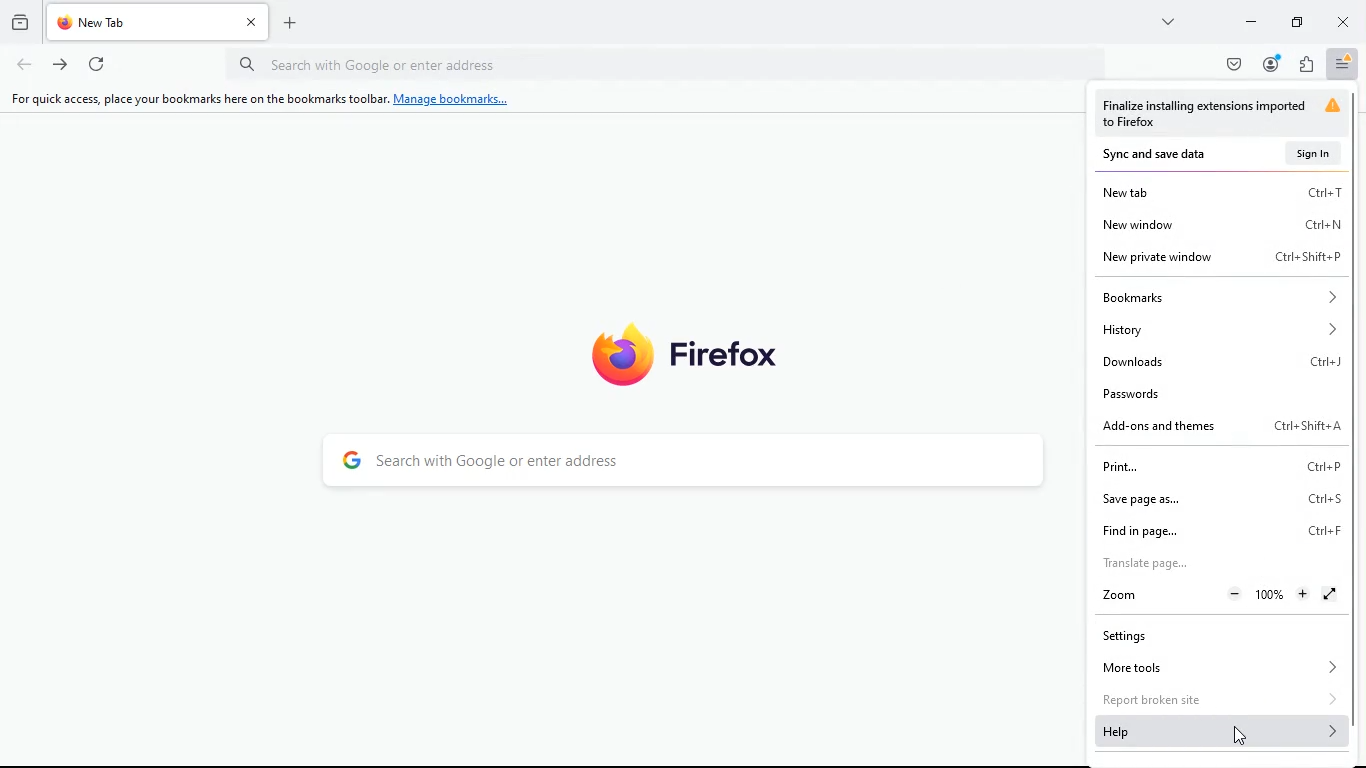 Image resolution: width=1366 pixels, height=768 pixels. Describe the element at coordinates (298, 28) in the screenshot. I see `new tab` at that location.